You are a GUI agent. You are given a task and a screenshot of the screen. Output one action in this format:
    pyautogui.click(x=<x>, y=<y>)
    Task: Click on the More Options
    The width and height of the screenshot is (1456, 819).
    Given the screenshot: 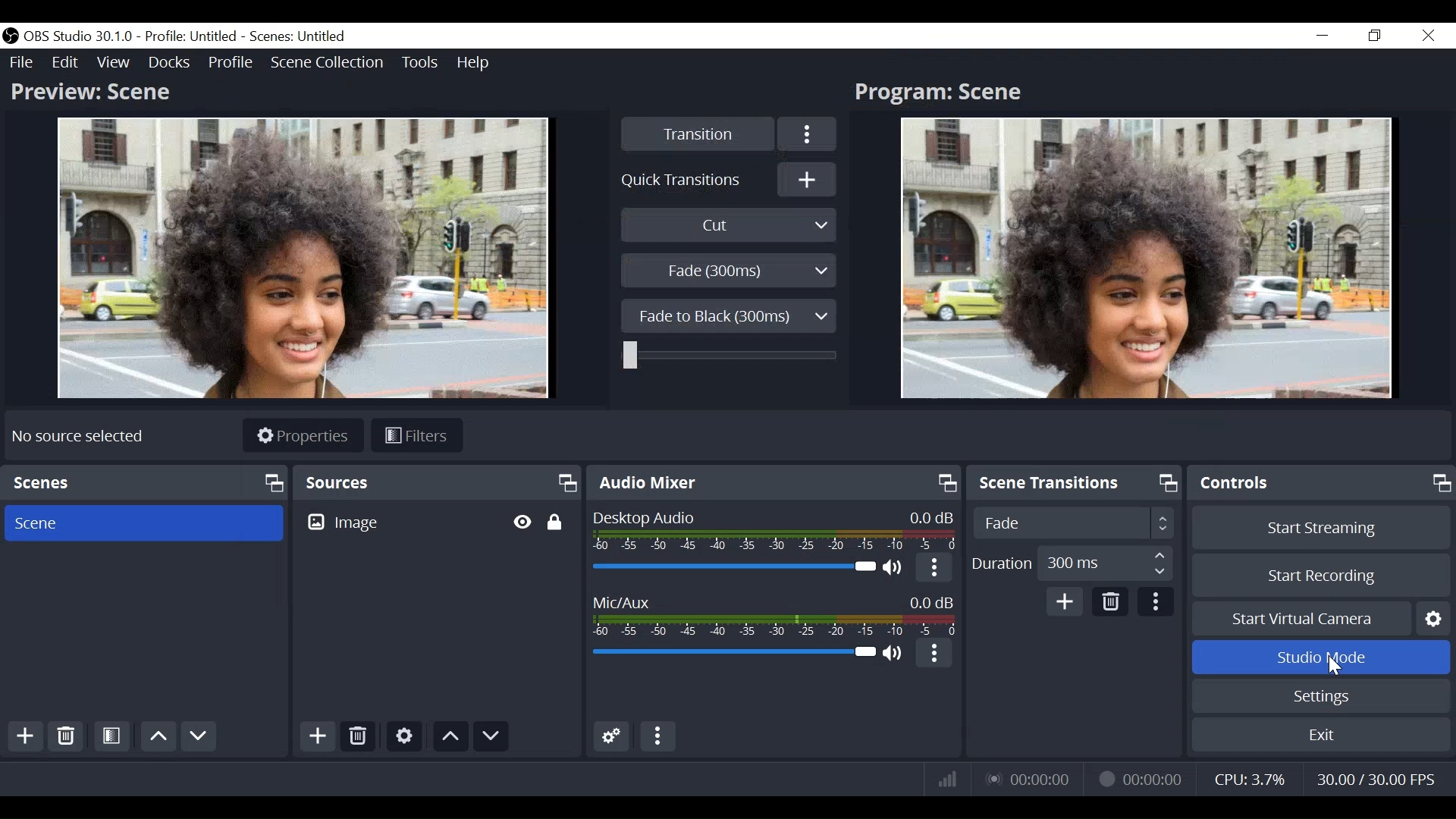 What is the action you would take?
    pyautogui.click(x=935, y=657)
    